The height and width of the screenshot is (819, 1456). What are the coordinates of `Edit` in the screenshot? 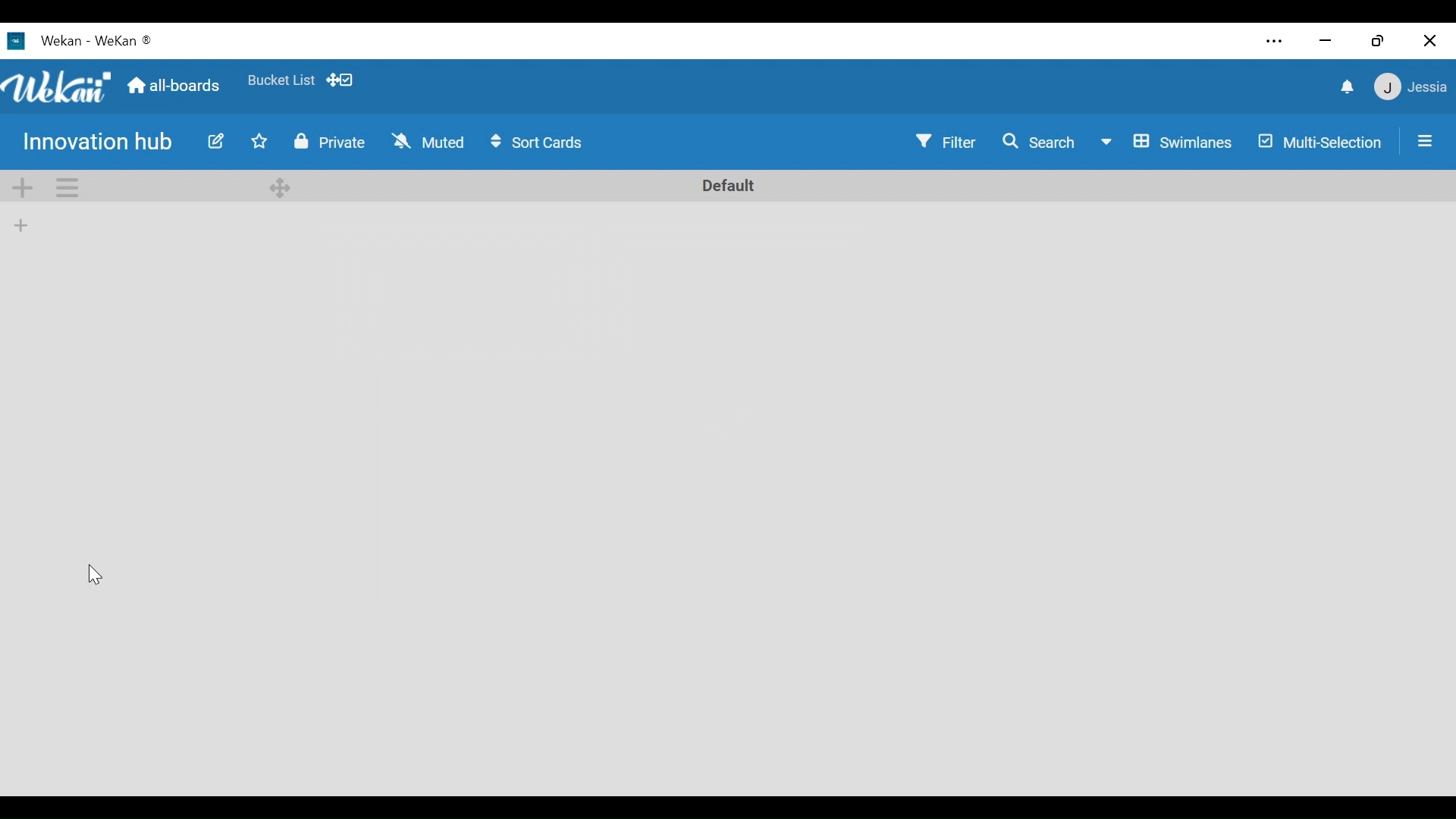 It's located at (216, 141).